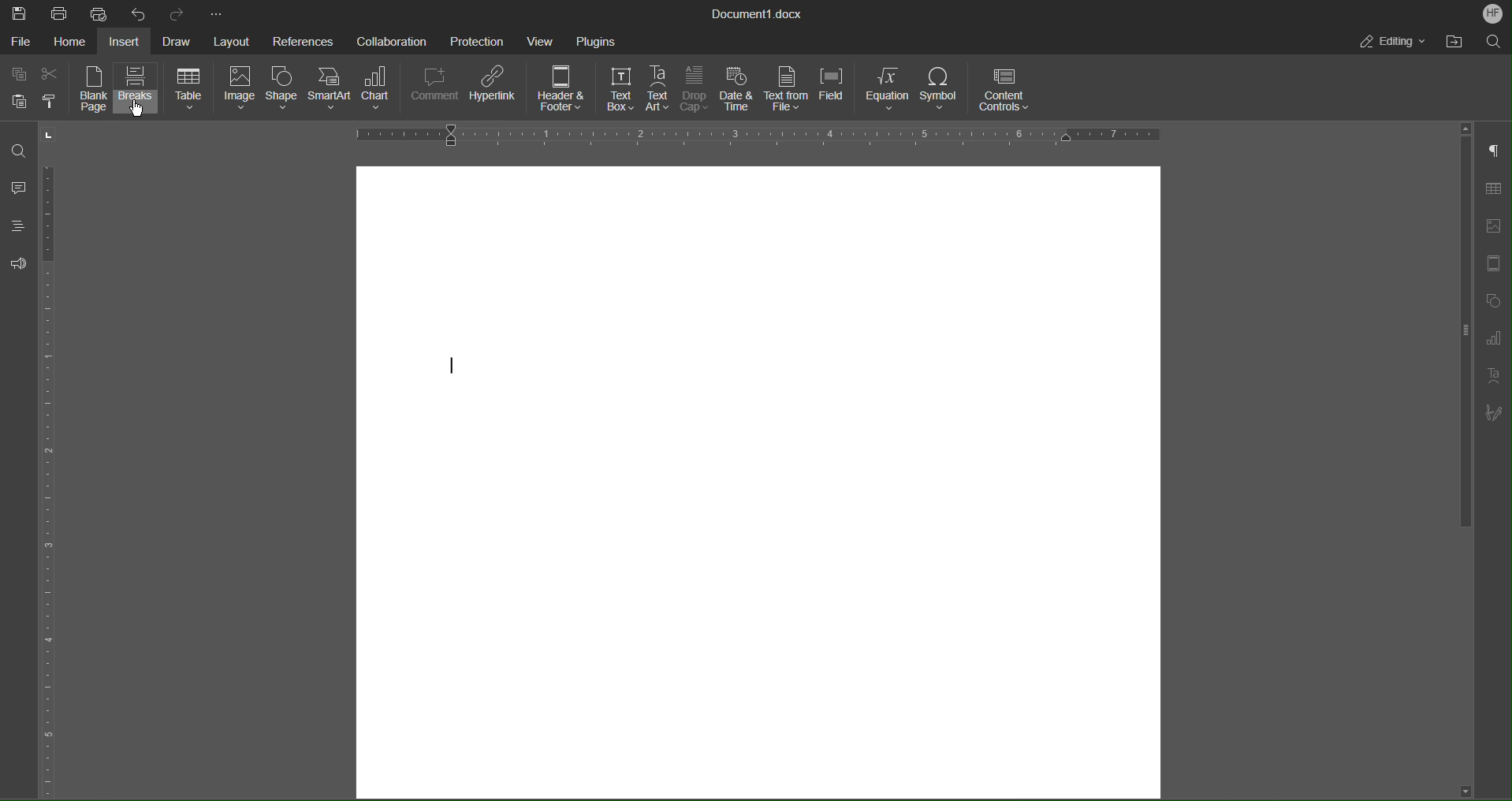 The image size is (1512, 801). Describe the element at coordinates (20, 102) in the screenshot. I see `Paste` at that location.